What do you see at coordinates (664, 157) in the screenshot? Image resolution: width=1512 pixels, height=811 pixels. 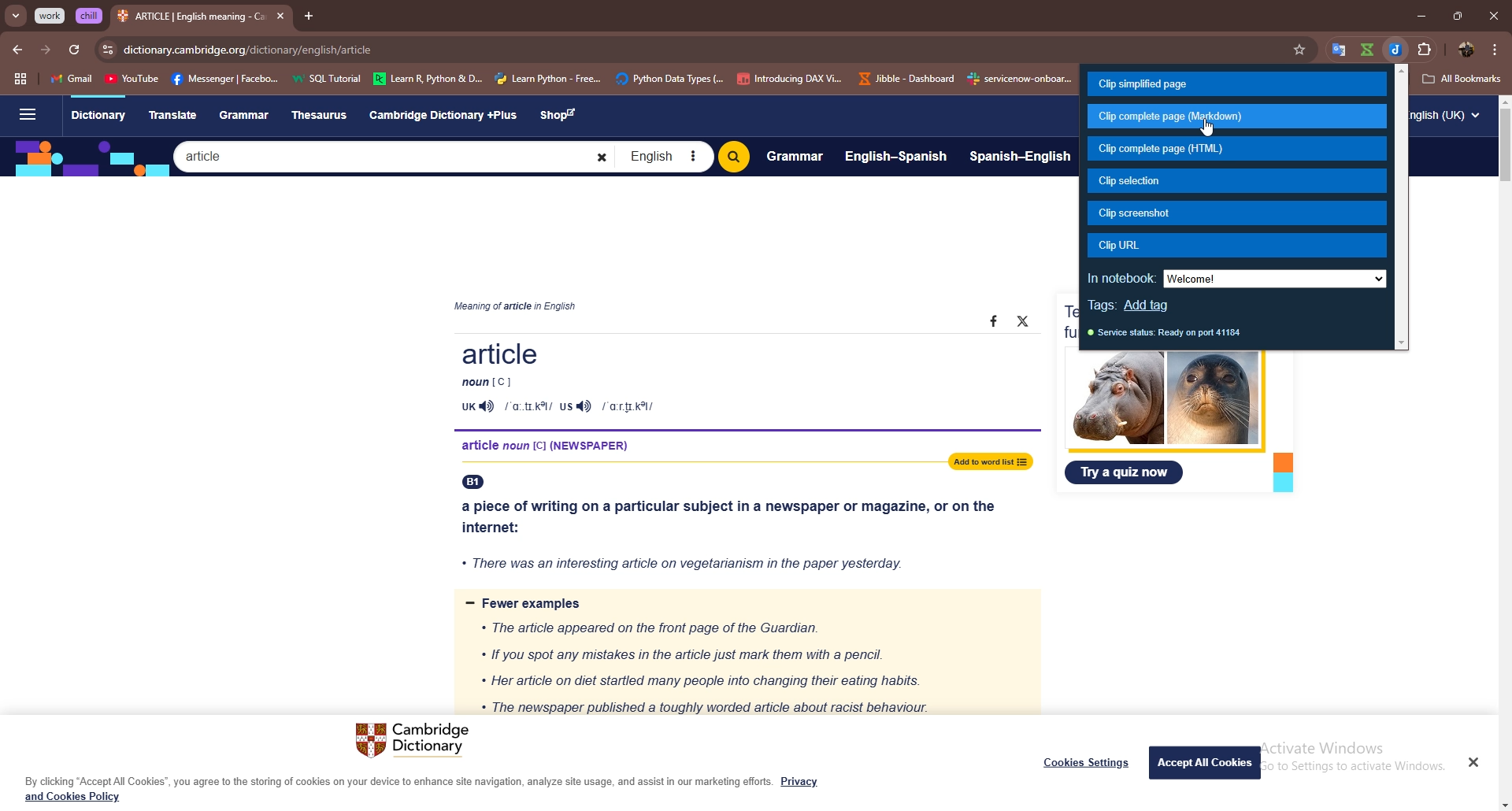 I see `English  ` at bounding box center [664, 157].